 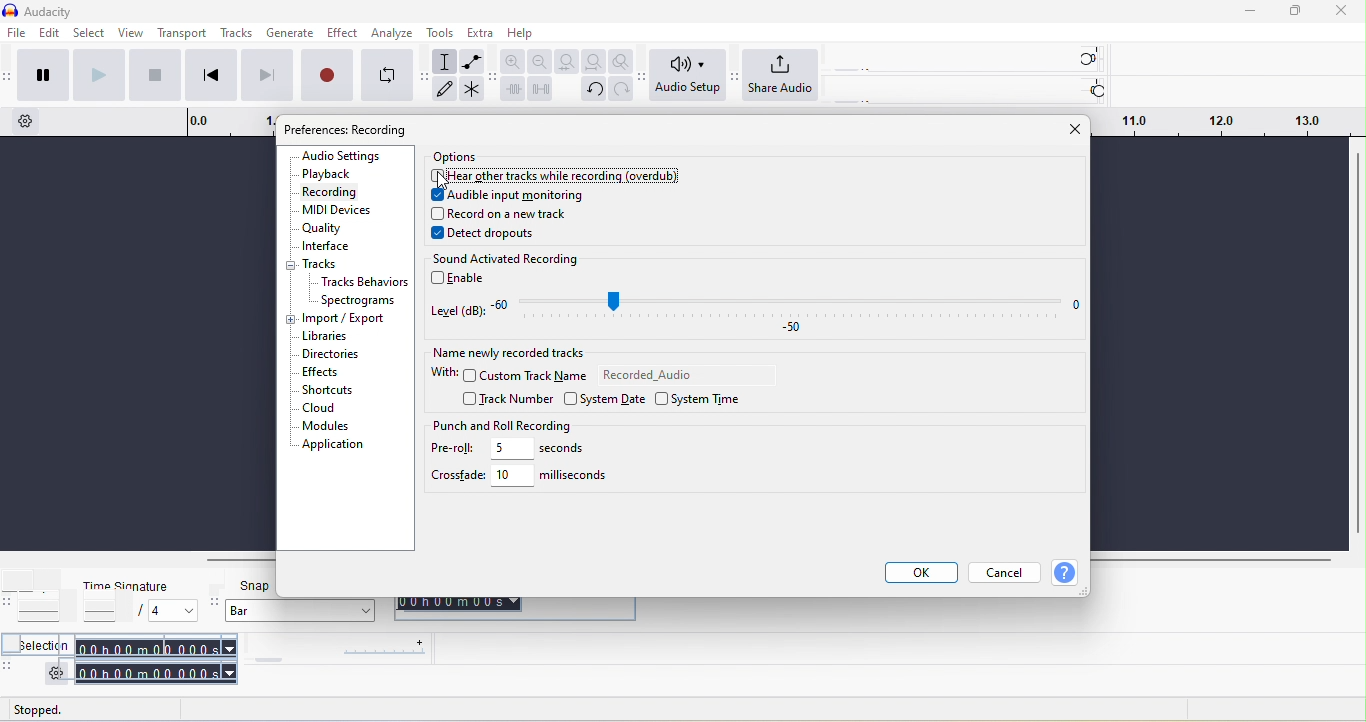 What do you see at coordinates (287, 34) in the screenshot?
I see `generate` at bounding box center [287, 34].